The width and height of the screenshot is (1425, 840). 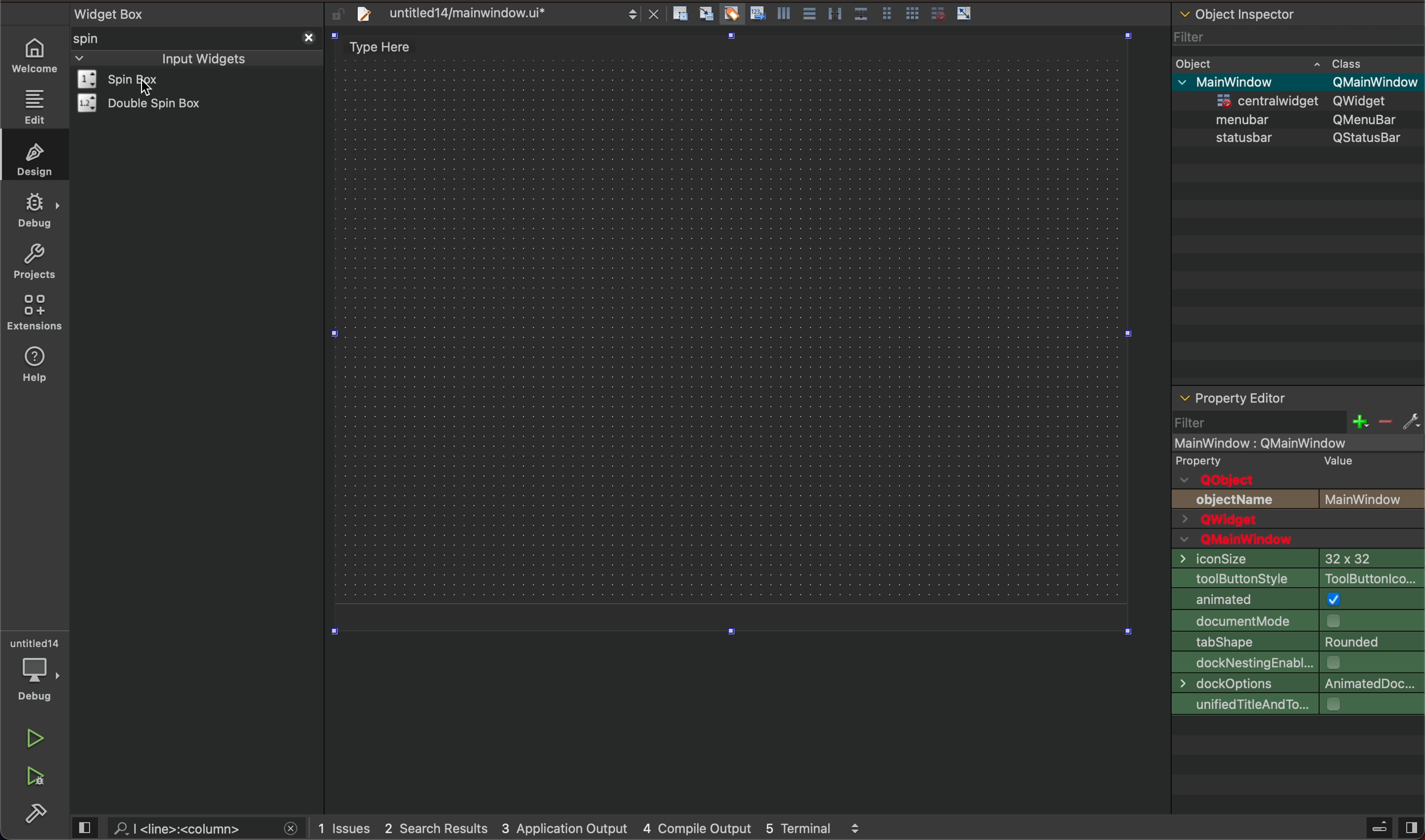 I want to click on object selected, so click(x=1296, y=442).